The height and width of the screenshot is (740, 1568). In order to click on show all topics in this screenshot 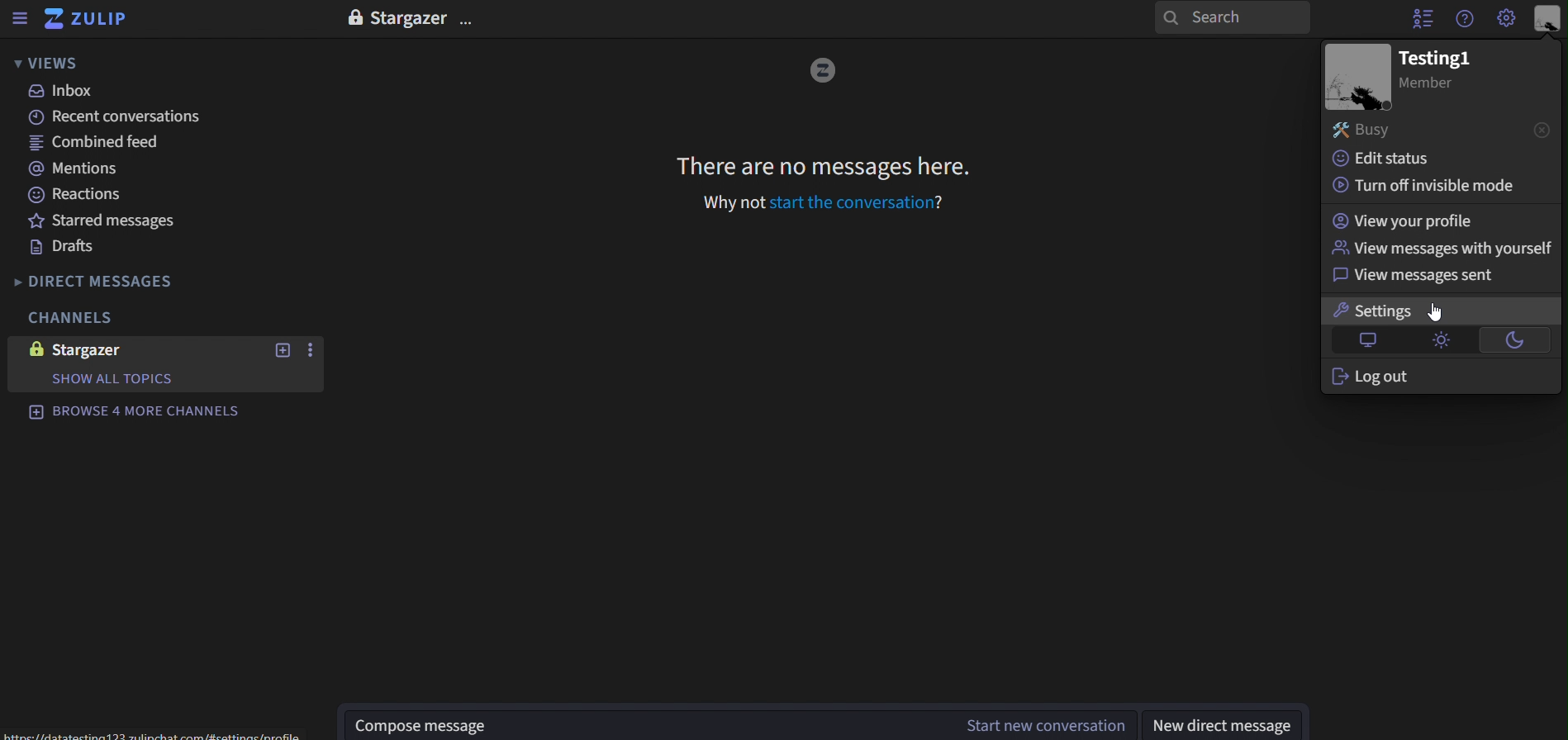, I will do `click(113, 378)`.